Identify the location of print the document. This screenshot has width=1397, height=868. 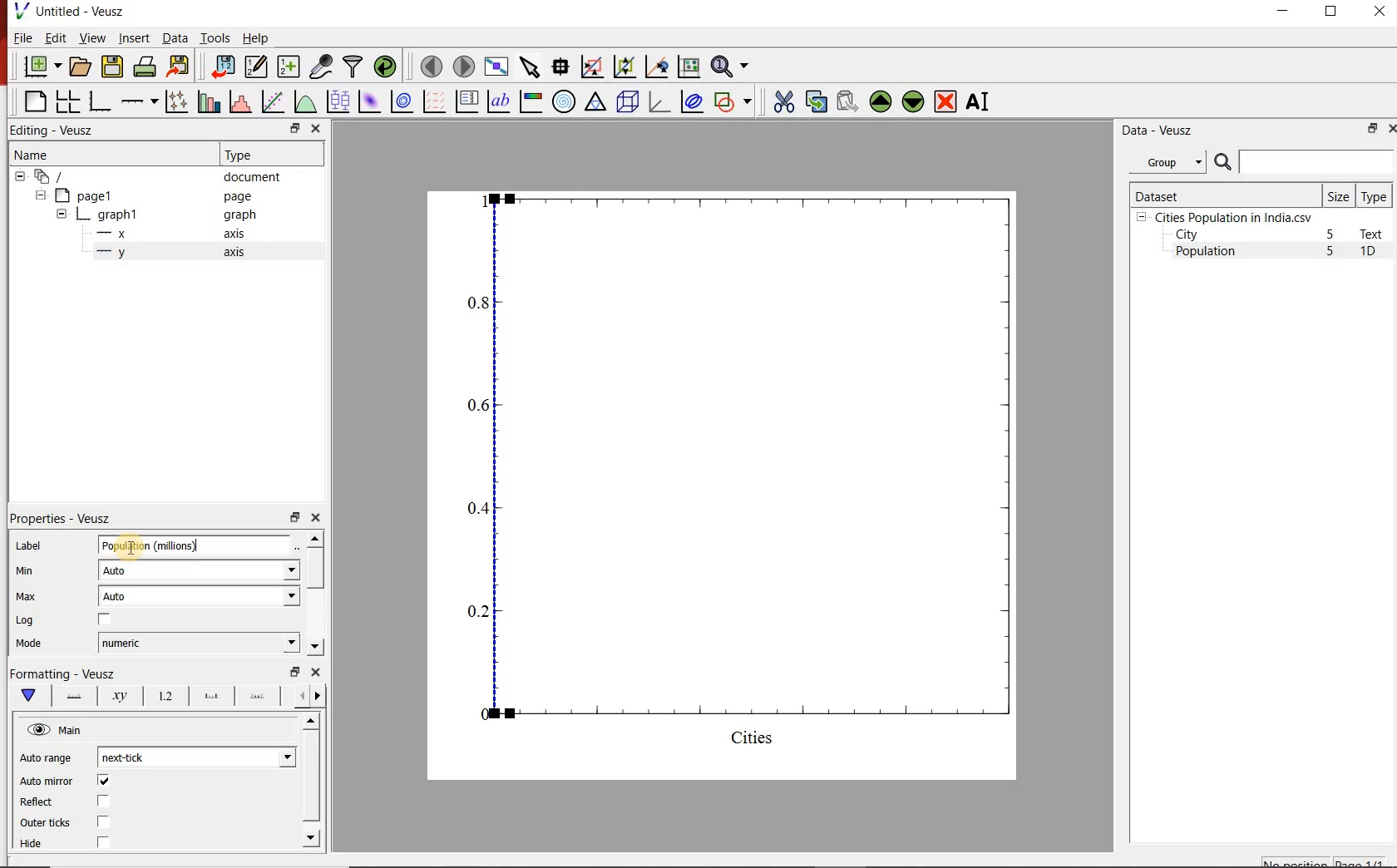
(144, 67).